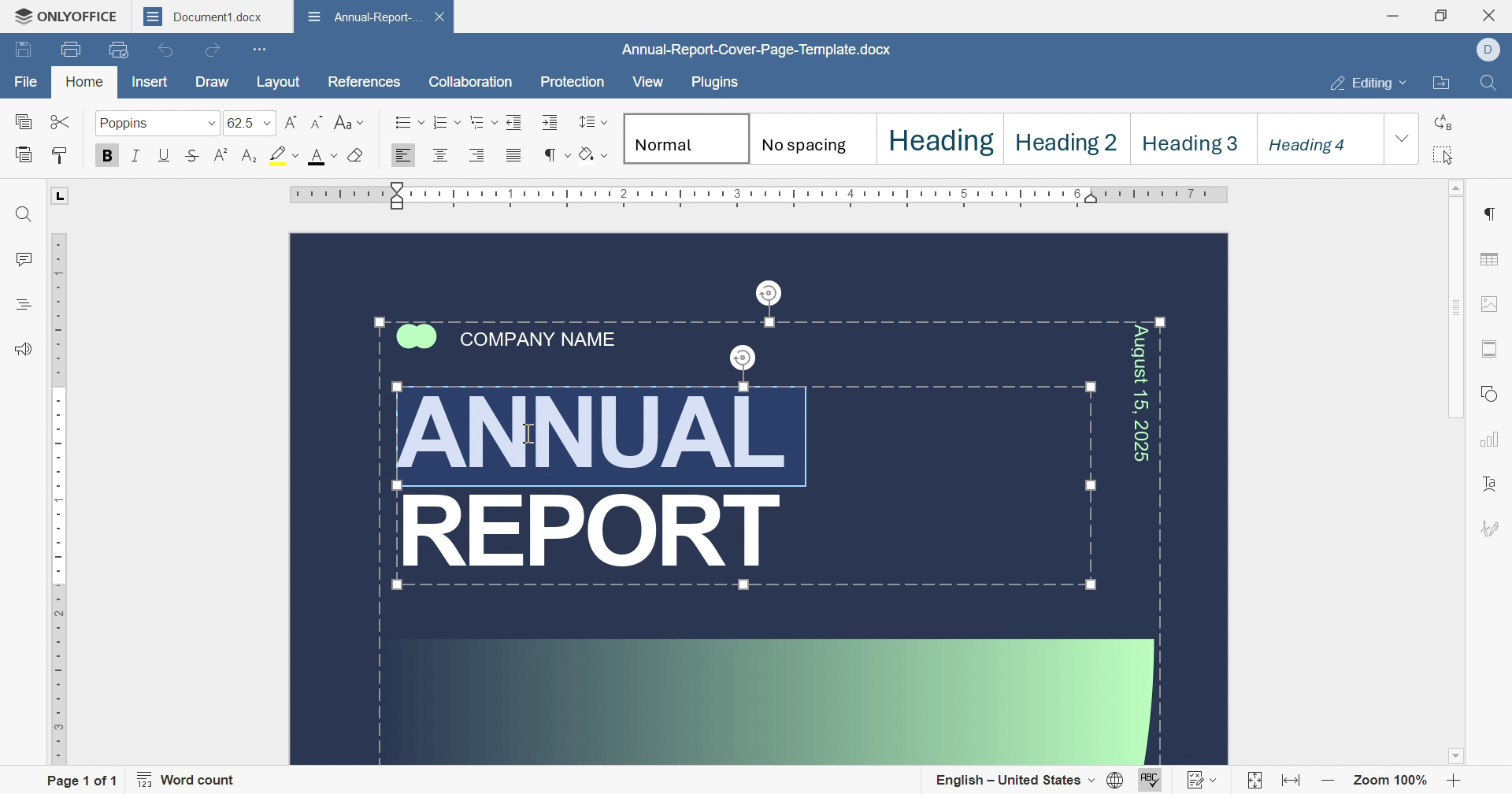 The height and width of the screenshot is (794, 1512). What do you see at coordinates (319, 123) in the screenshot?
I see `decrement font size` at bounding box center [319, 123].